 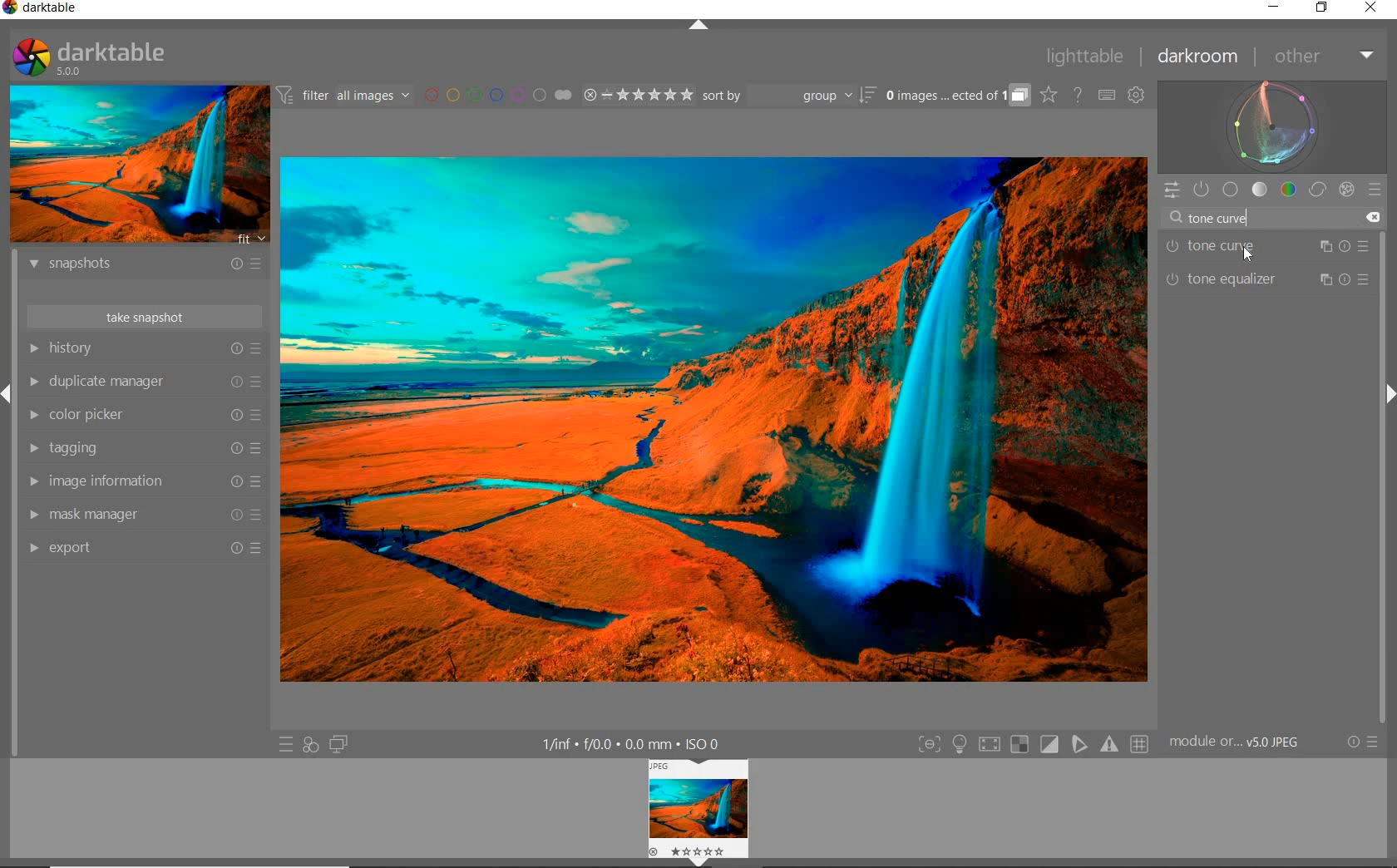 I want to click on TONE EQUALIZER, so click(x=1269, y=279).